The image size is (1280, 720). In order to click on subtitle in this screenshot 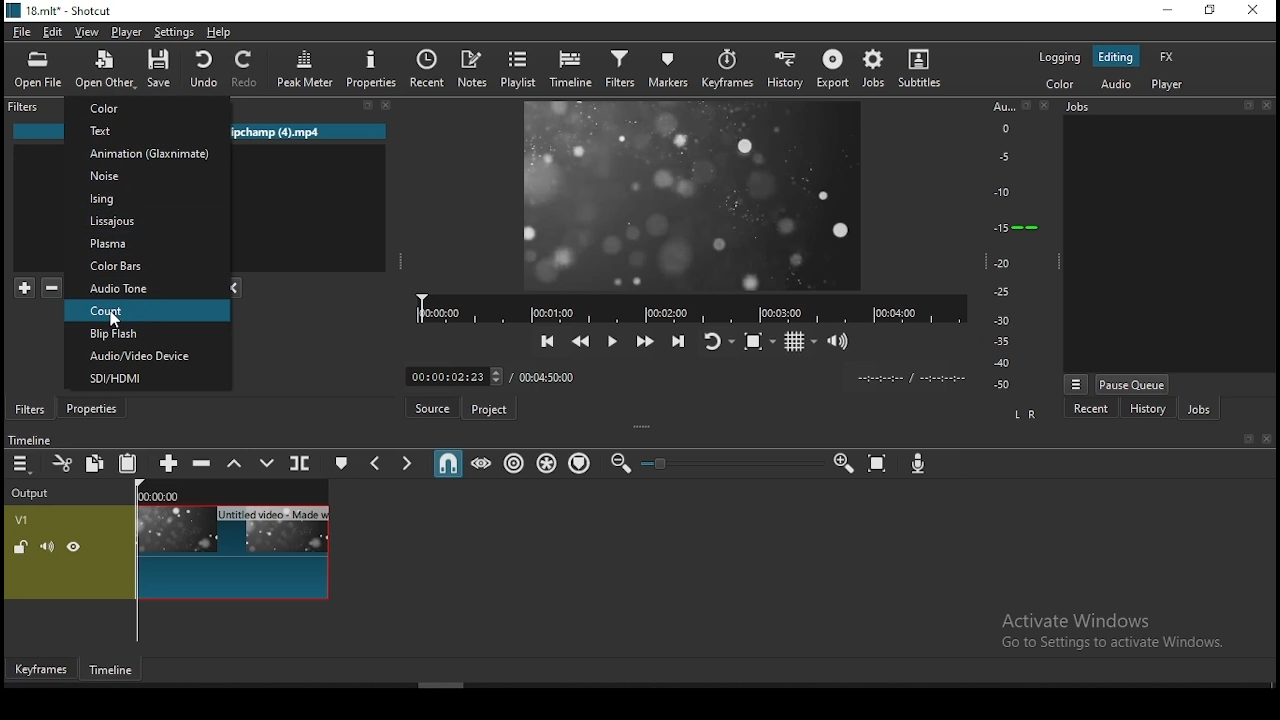, I will do `click(922, 69)`.